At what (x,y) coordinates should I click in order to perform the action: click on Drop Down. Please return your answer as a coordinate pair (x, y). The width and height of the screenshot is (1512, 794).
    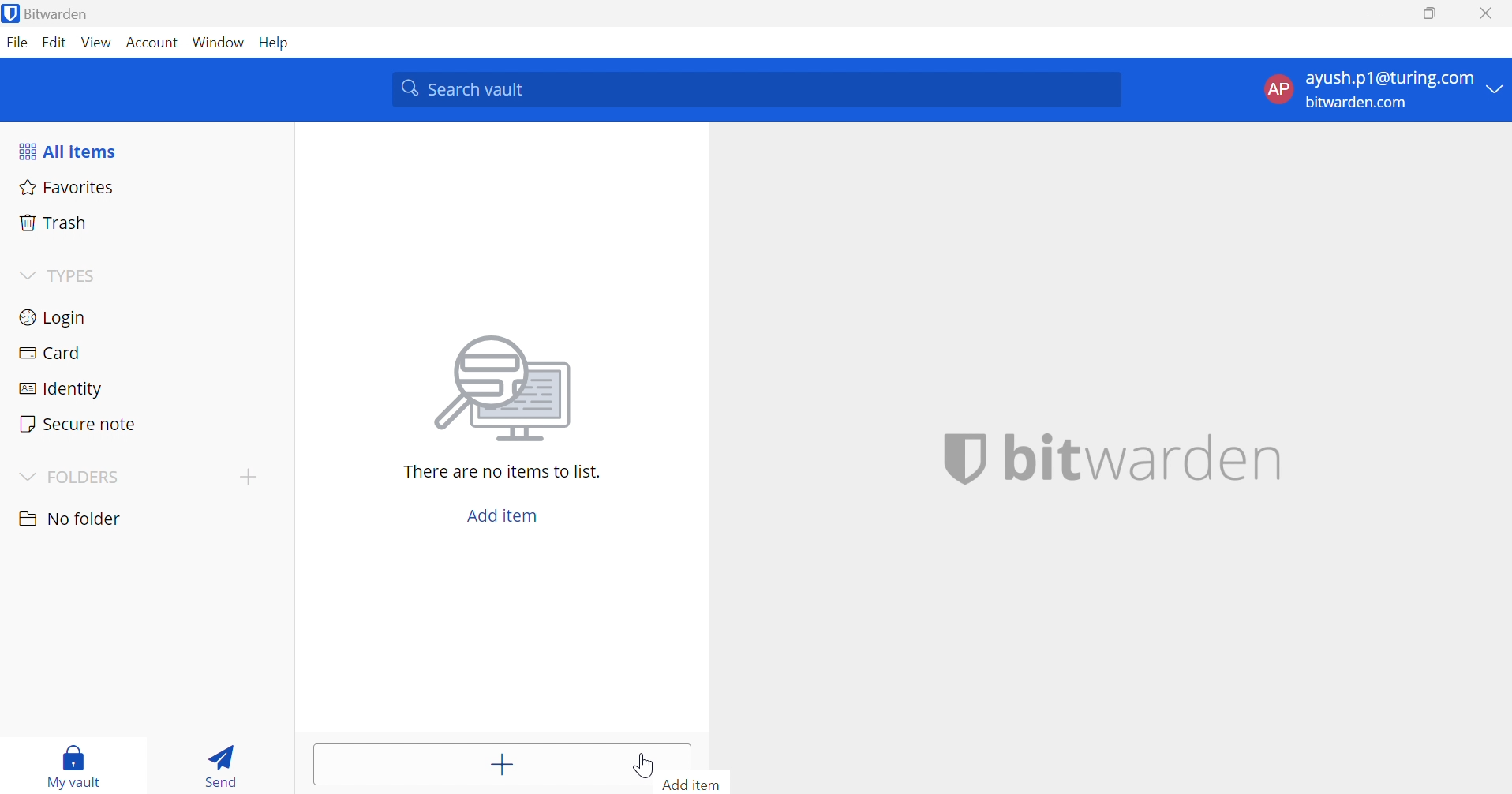
    Looking at the image, I should click on (25, 475).